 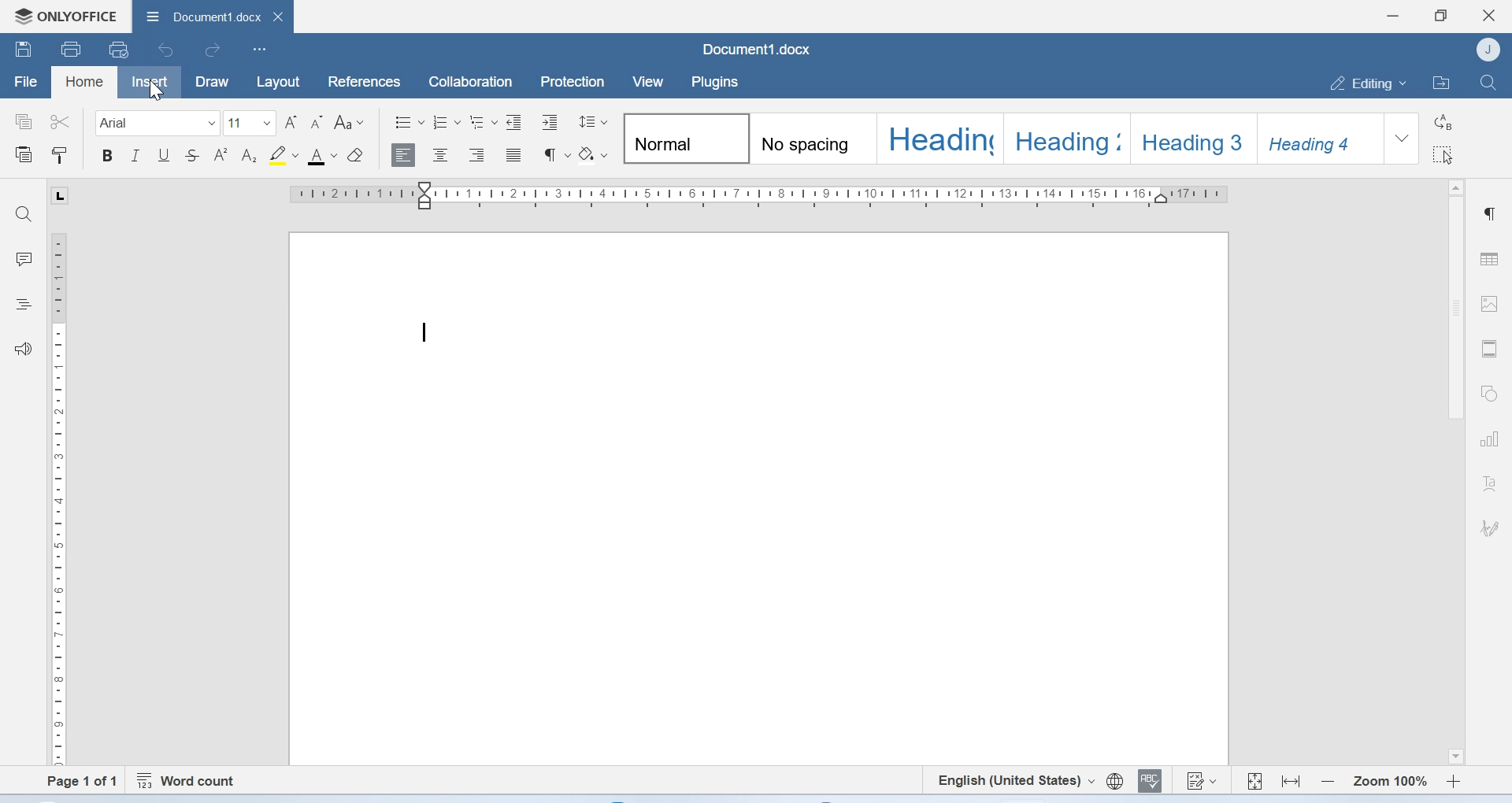 What do you see at coordinates (58, 195) in the screenshot?
I see `L` at bounding box center [58, 195].